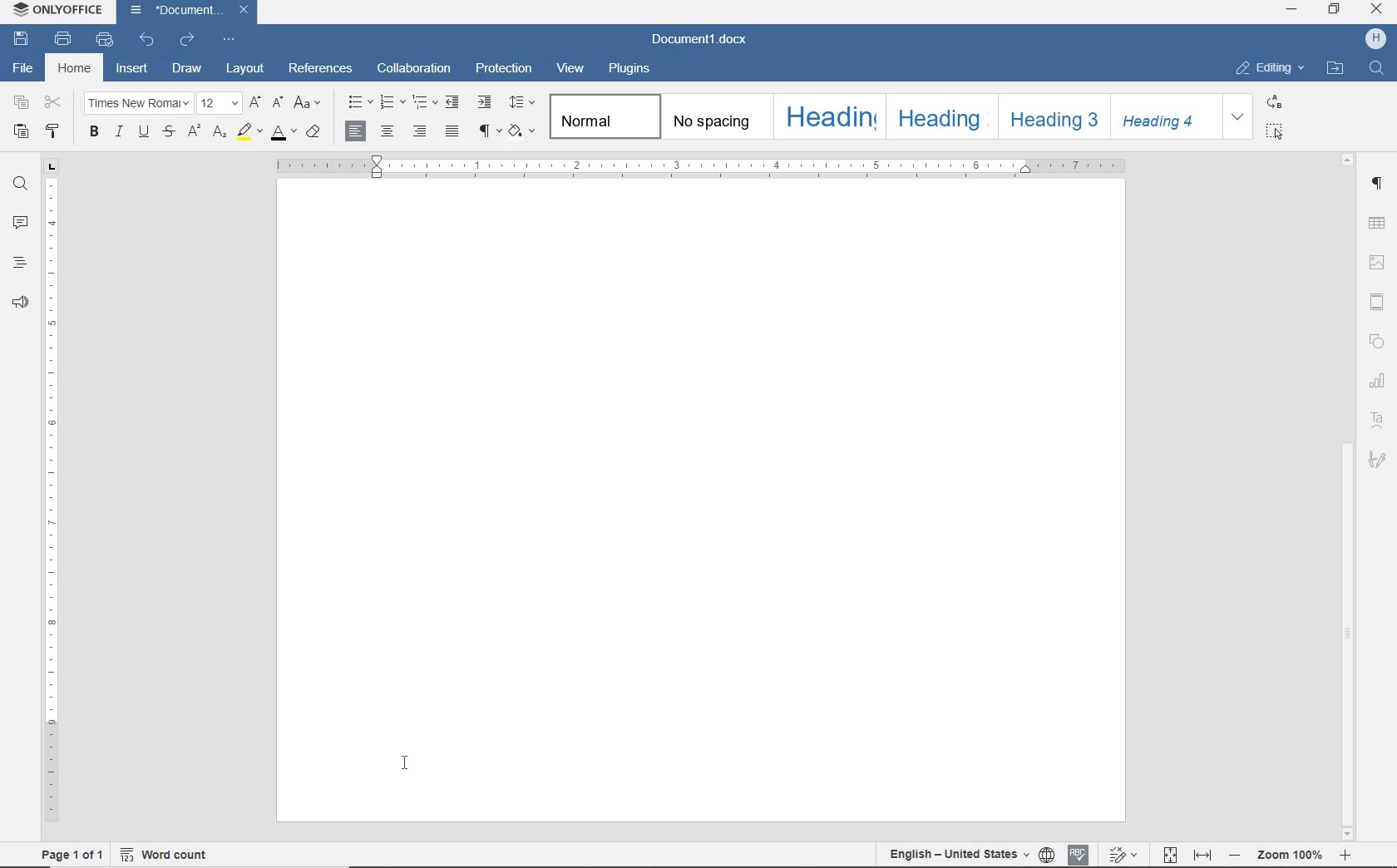 The height and width of the screenshot is (868, 1397). What do you see at coordinates (1380, 461) in the screenshot?
I see `signature` at bounding box center [1380, 461].